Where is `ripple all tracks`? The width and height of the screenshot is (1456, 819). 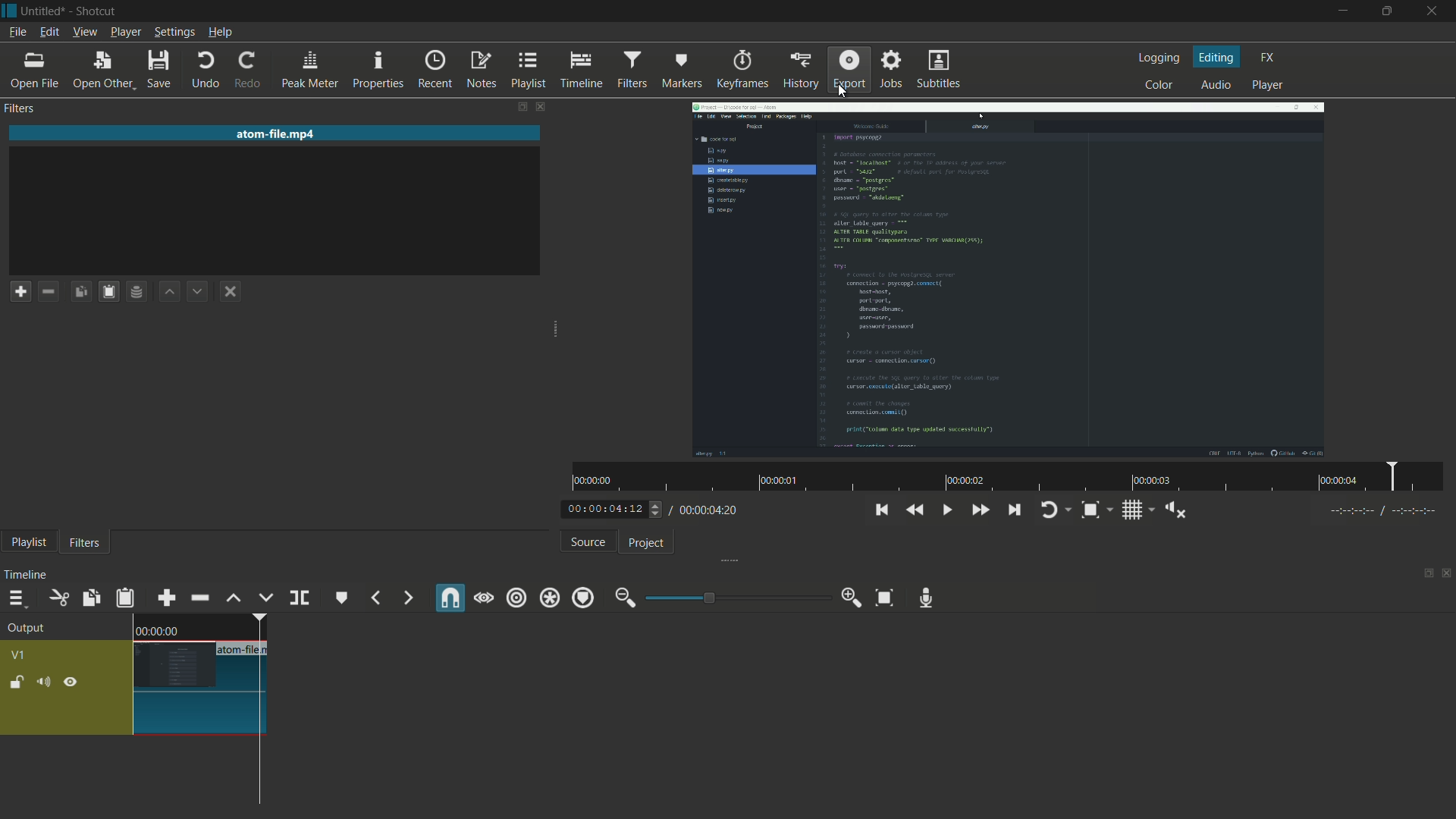
ripple all tracks is located at coordinates (549, 598).